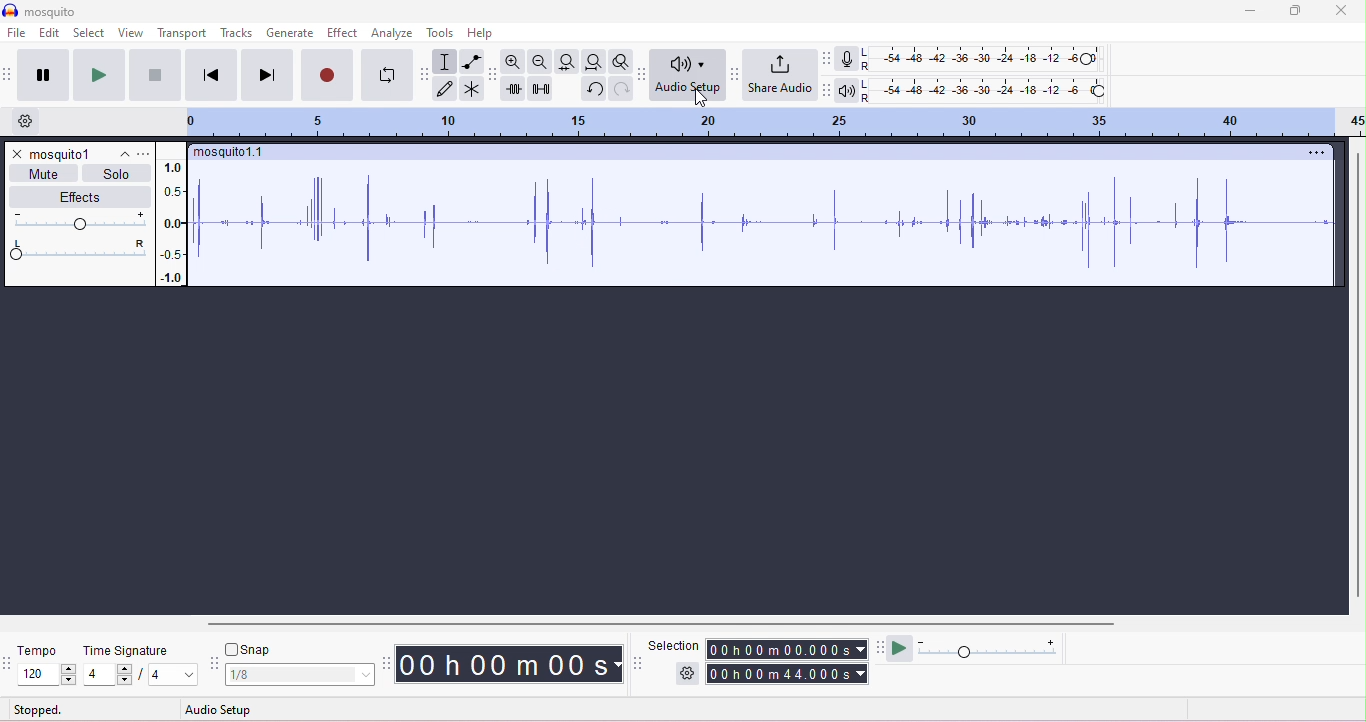 This screenshot has width=1366, height=722. Describe the element at coordinates (126, 651) in the screenshot. I see `time signature` at that location.